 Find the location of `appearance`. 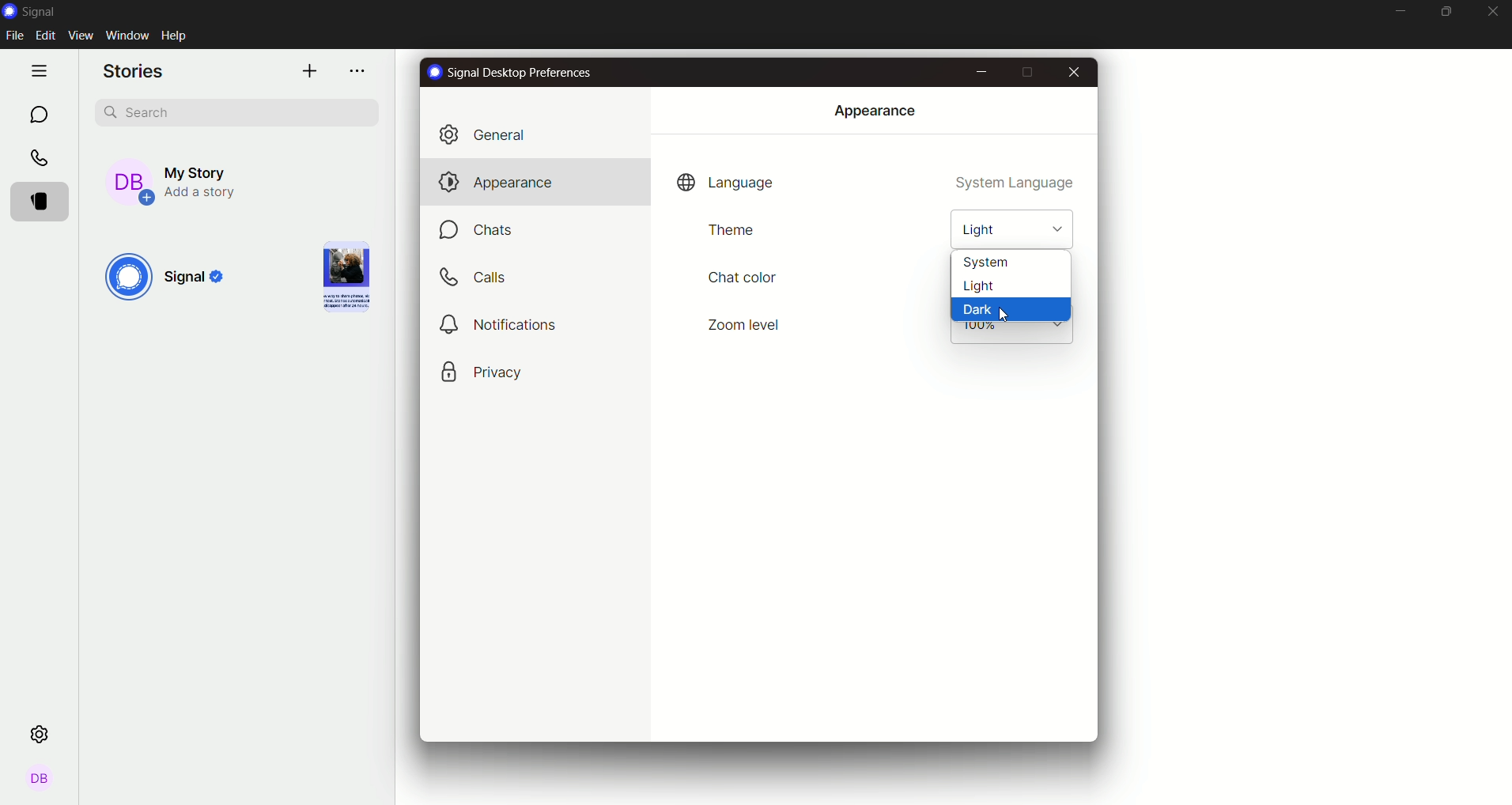

appearance is located at coordinates (493, 181).